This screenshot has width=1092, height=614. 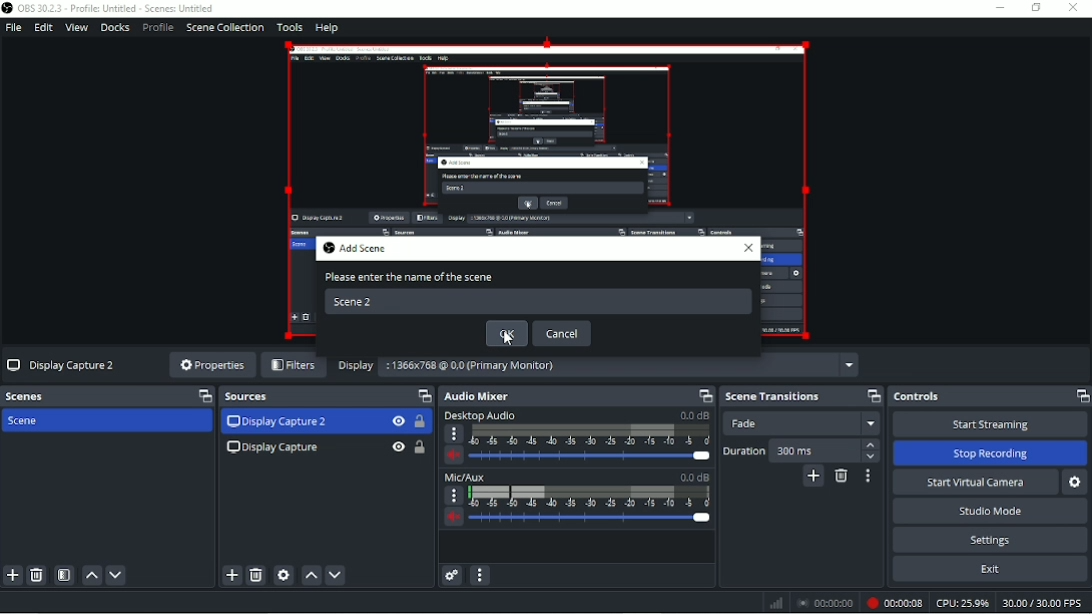 What do you see at coordinates (992, 571) in the screenshot?
I see `Exit` at bounding box center [992, 571].